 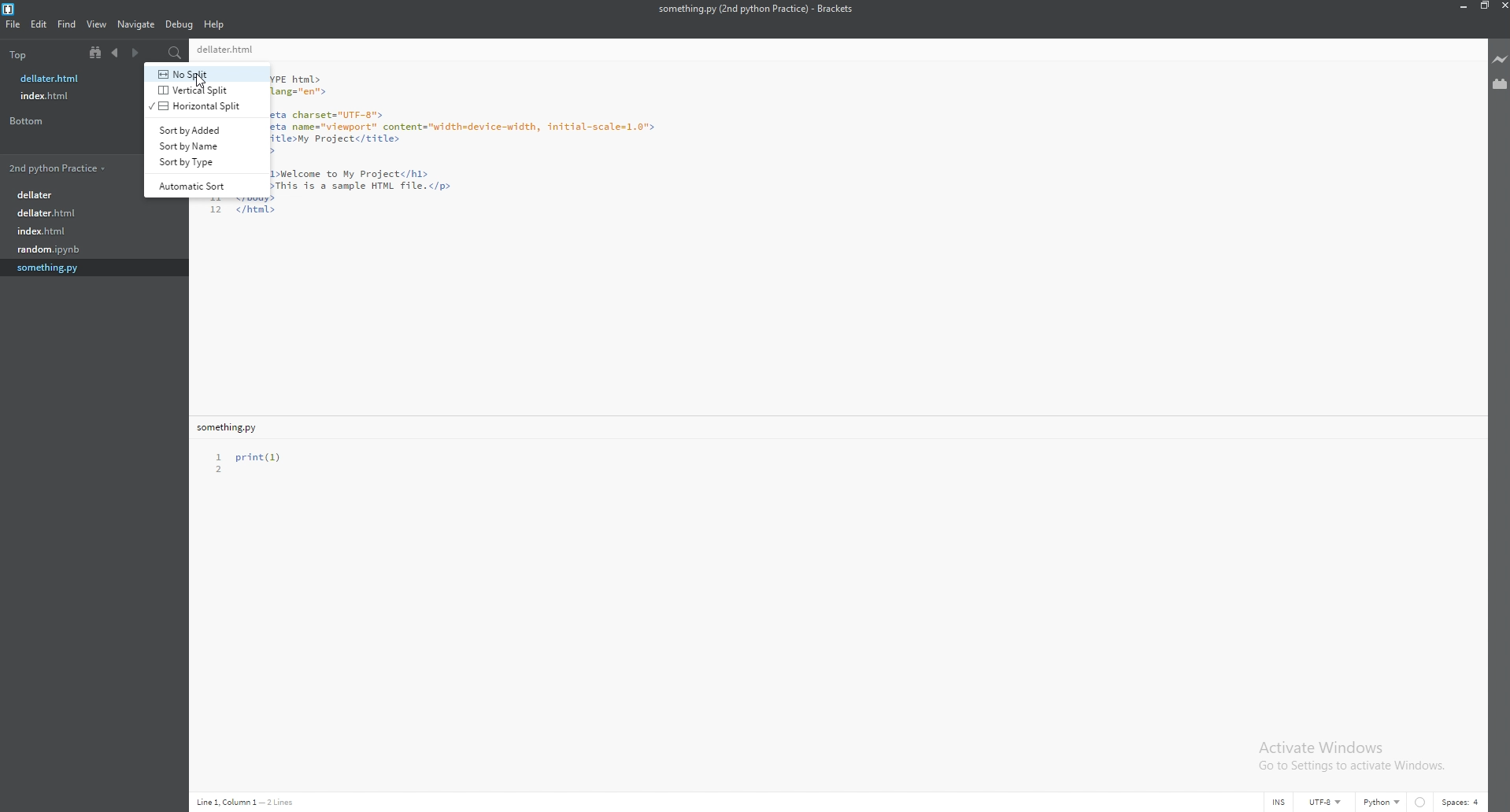 What do you see at coordinates (756, 9) in the screenshot?
I see `file name` at bounding box center [756, 9].